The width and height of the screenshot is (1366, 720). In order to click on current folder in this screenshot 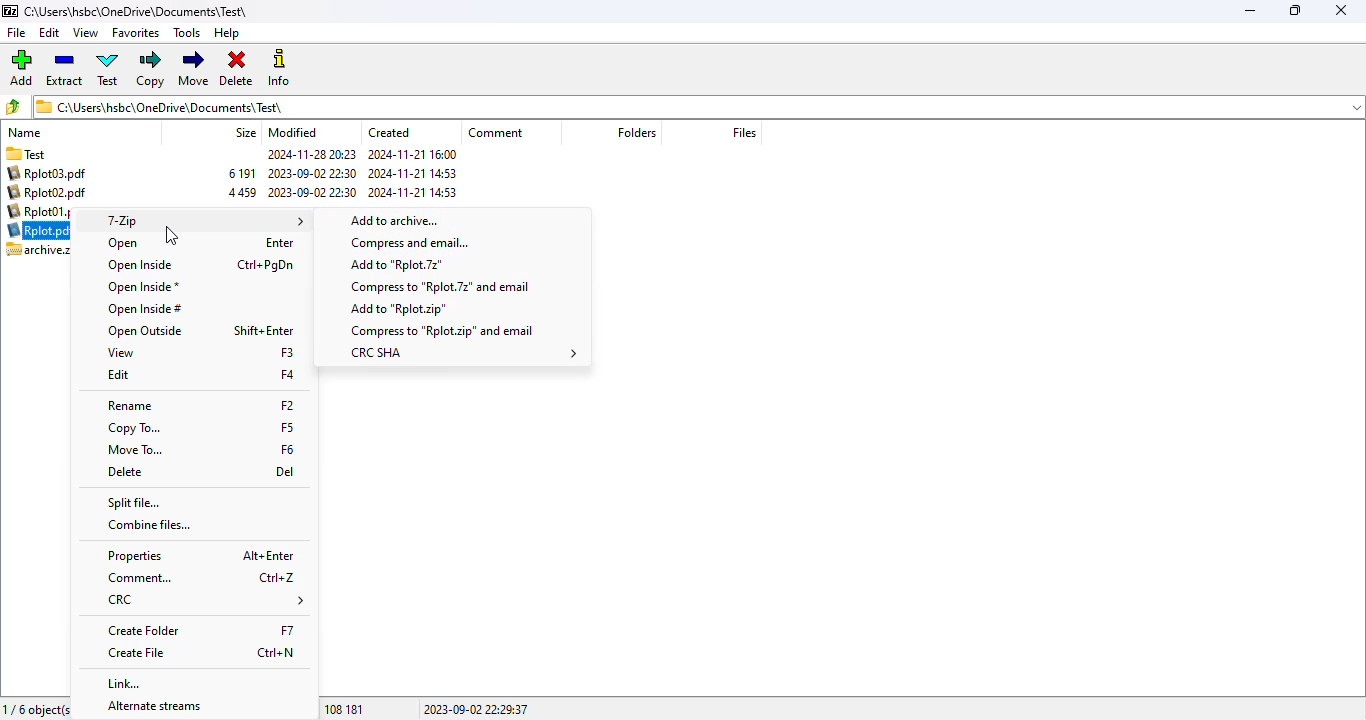, I will do `click(137, 11)`.